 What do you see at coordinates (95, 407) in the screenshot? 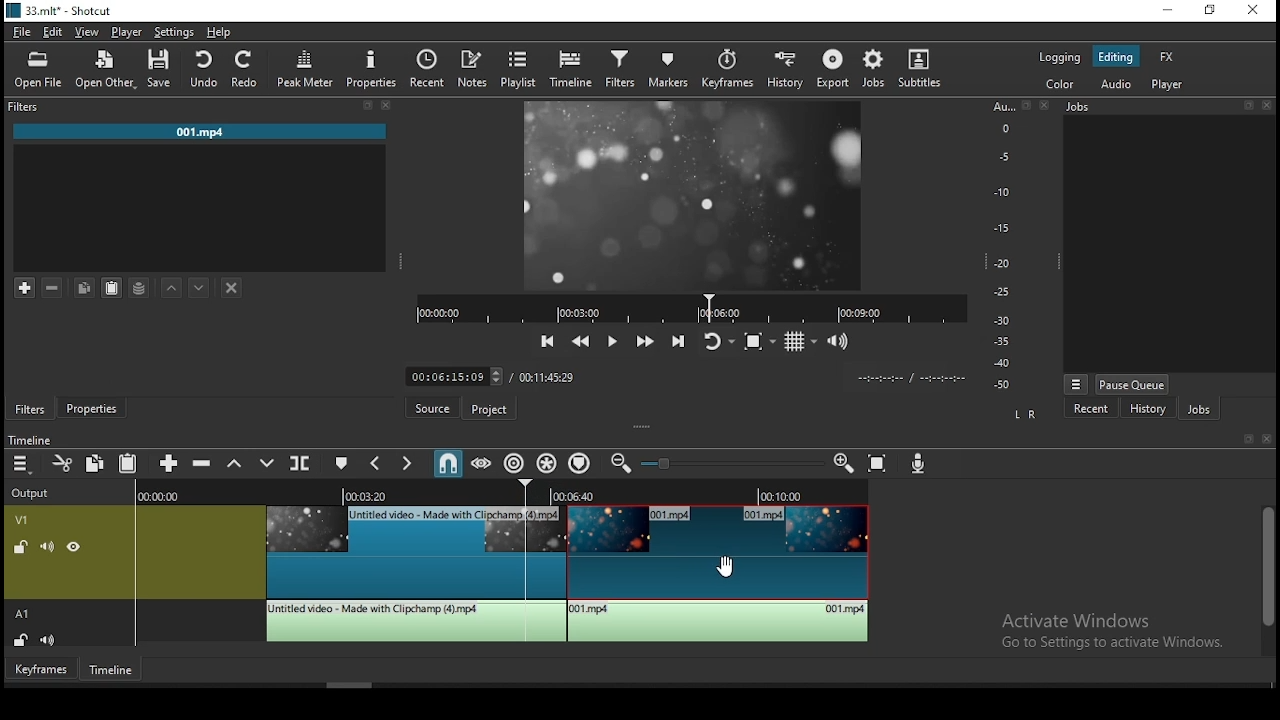
I see `properties` at bounding box center [95, 407].